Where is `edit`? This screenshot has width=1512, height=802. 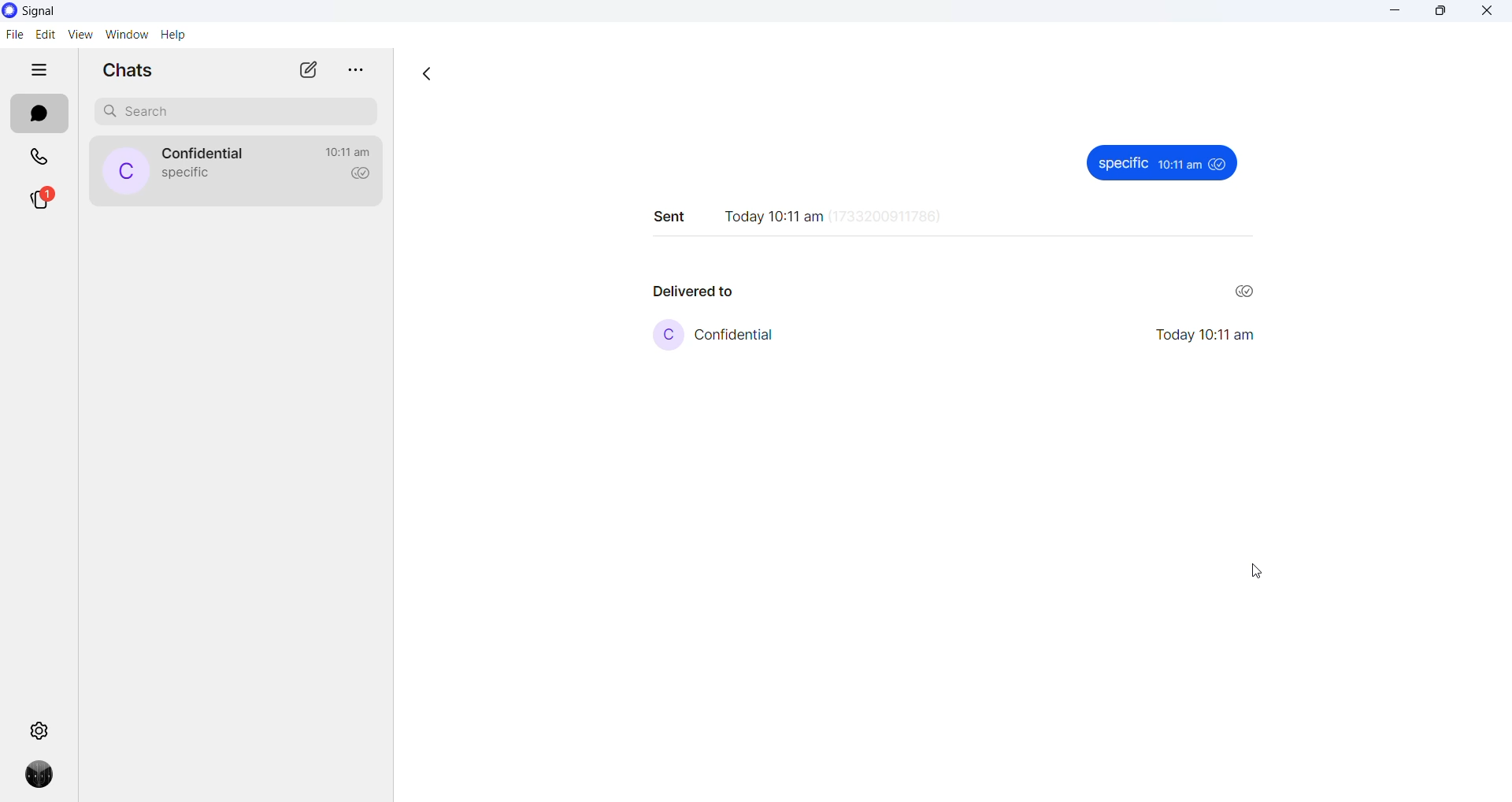 edit is located at coordinates (45, 35).